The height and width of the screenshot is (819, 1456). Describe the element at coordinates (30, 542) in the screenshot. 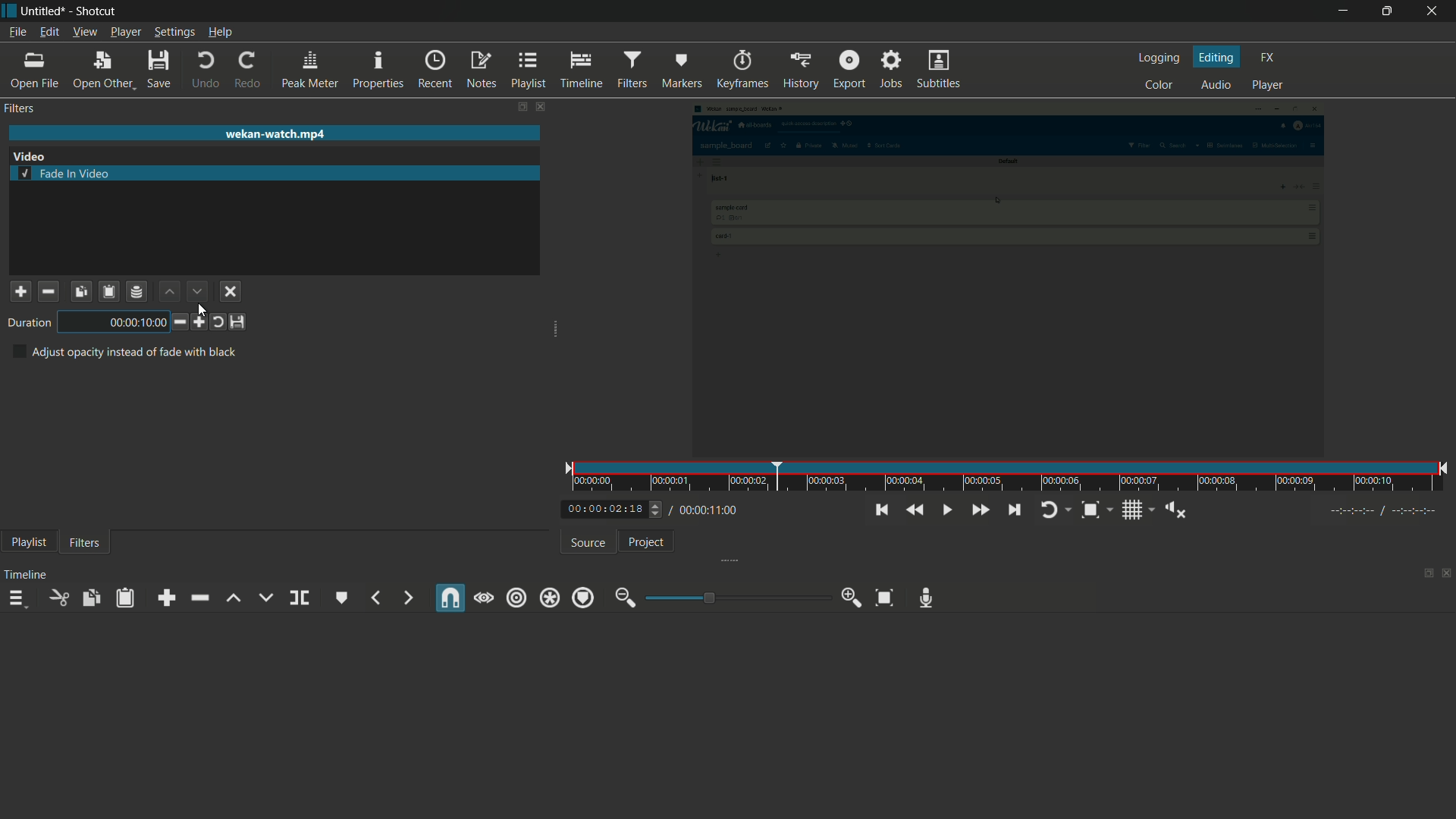

I see `playlist` at that location.